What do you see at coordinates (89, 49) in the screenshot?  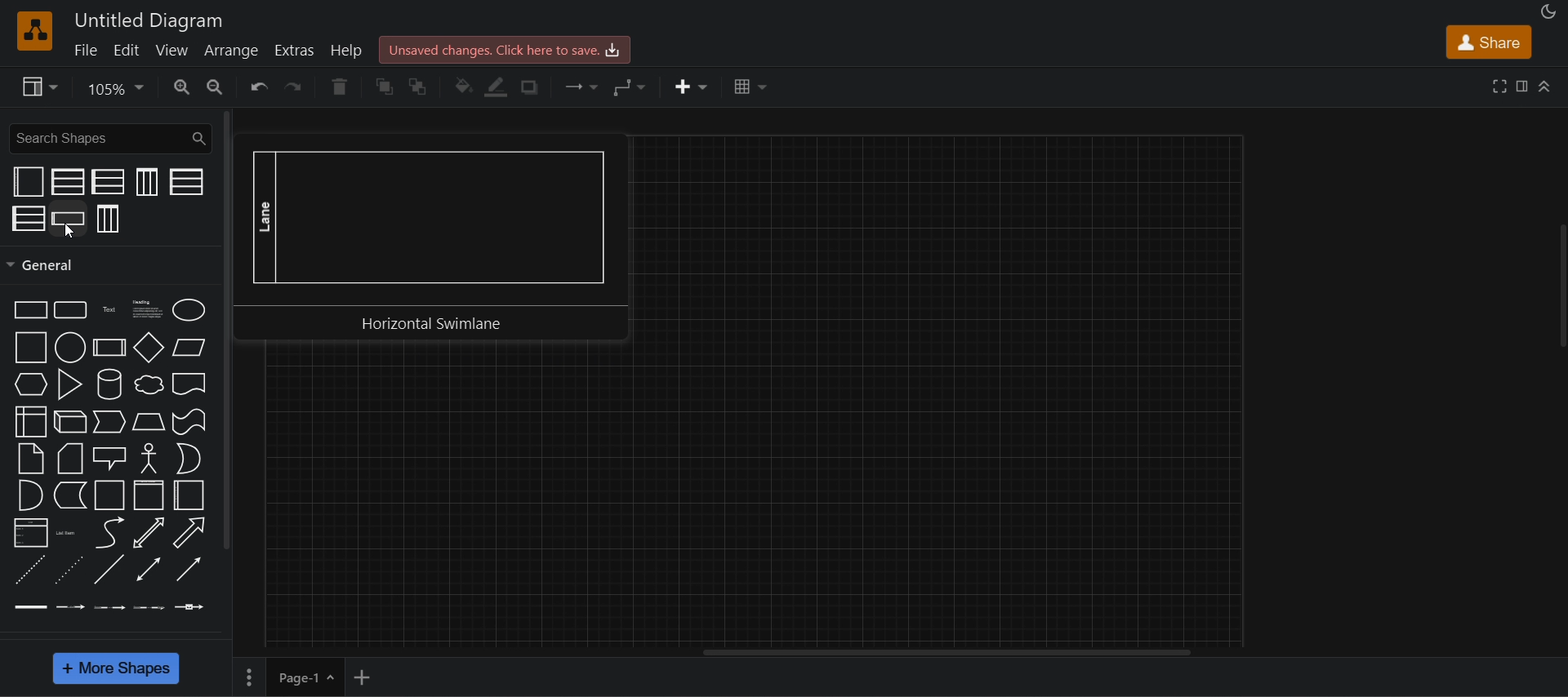 I see `file` at bounding box center [89, 49].